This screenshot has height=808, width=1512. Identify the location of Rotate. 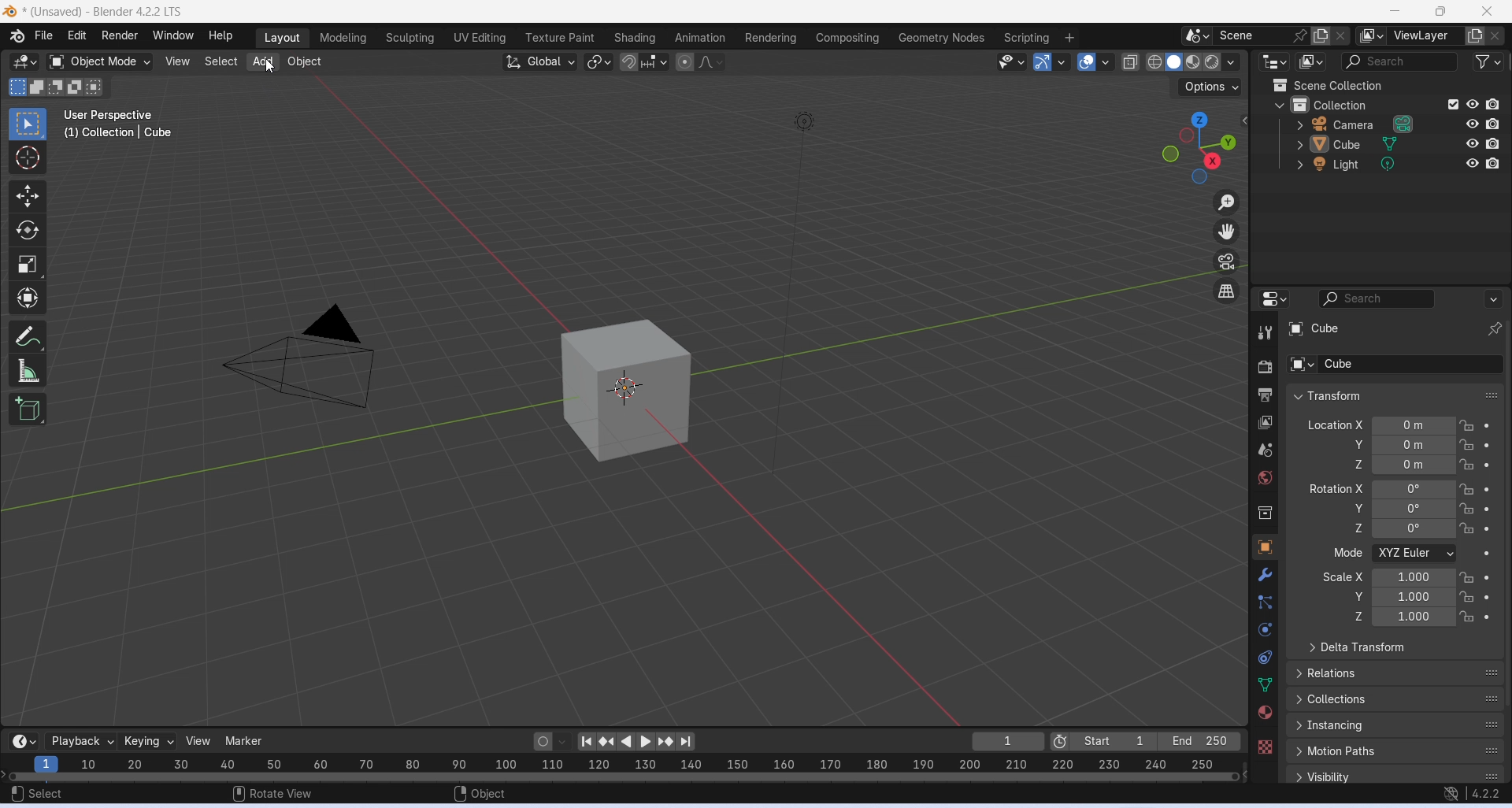
(27, 231).